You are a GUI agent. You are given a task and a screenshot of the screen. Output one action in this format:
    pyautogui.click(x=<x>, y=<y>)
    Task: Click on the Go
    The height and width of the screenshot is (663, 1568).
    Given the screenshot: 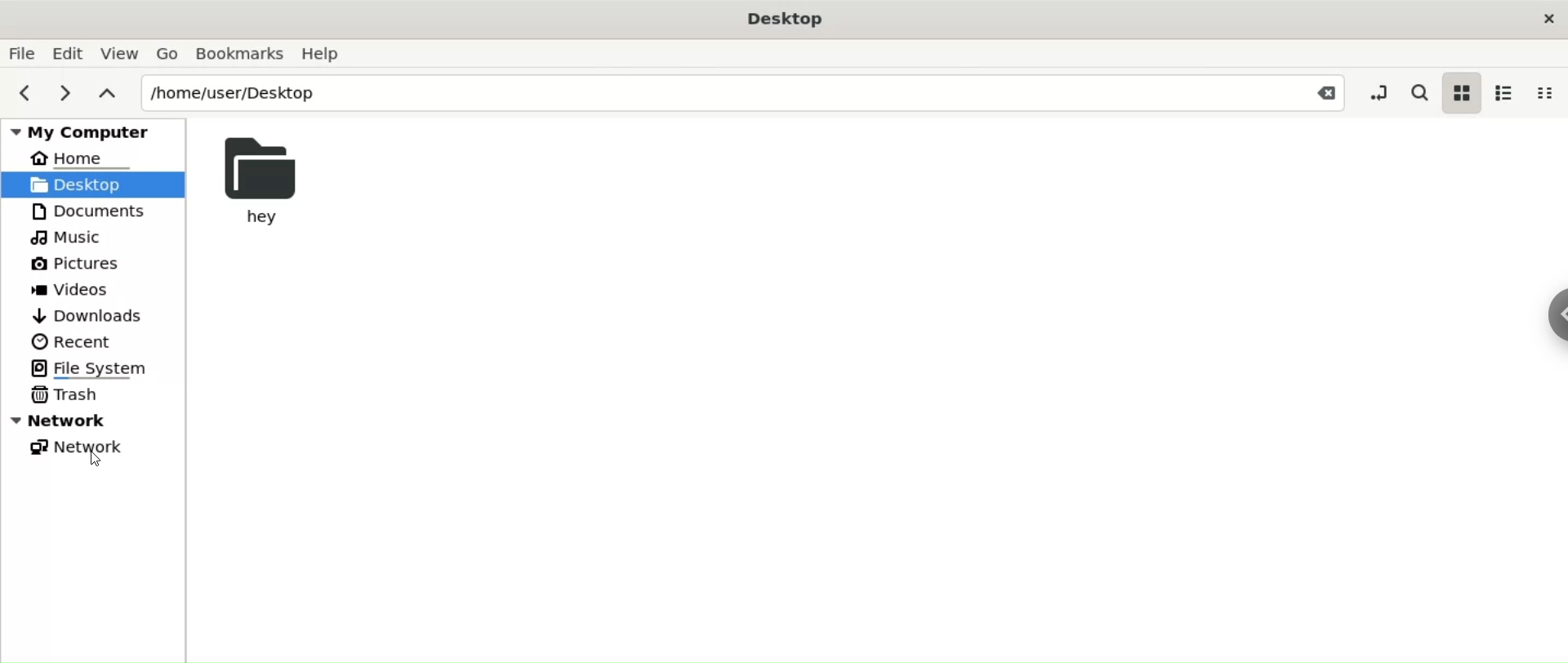 What is the action you would take?
    pyautogui.click(x=167, y=52)
    